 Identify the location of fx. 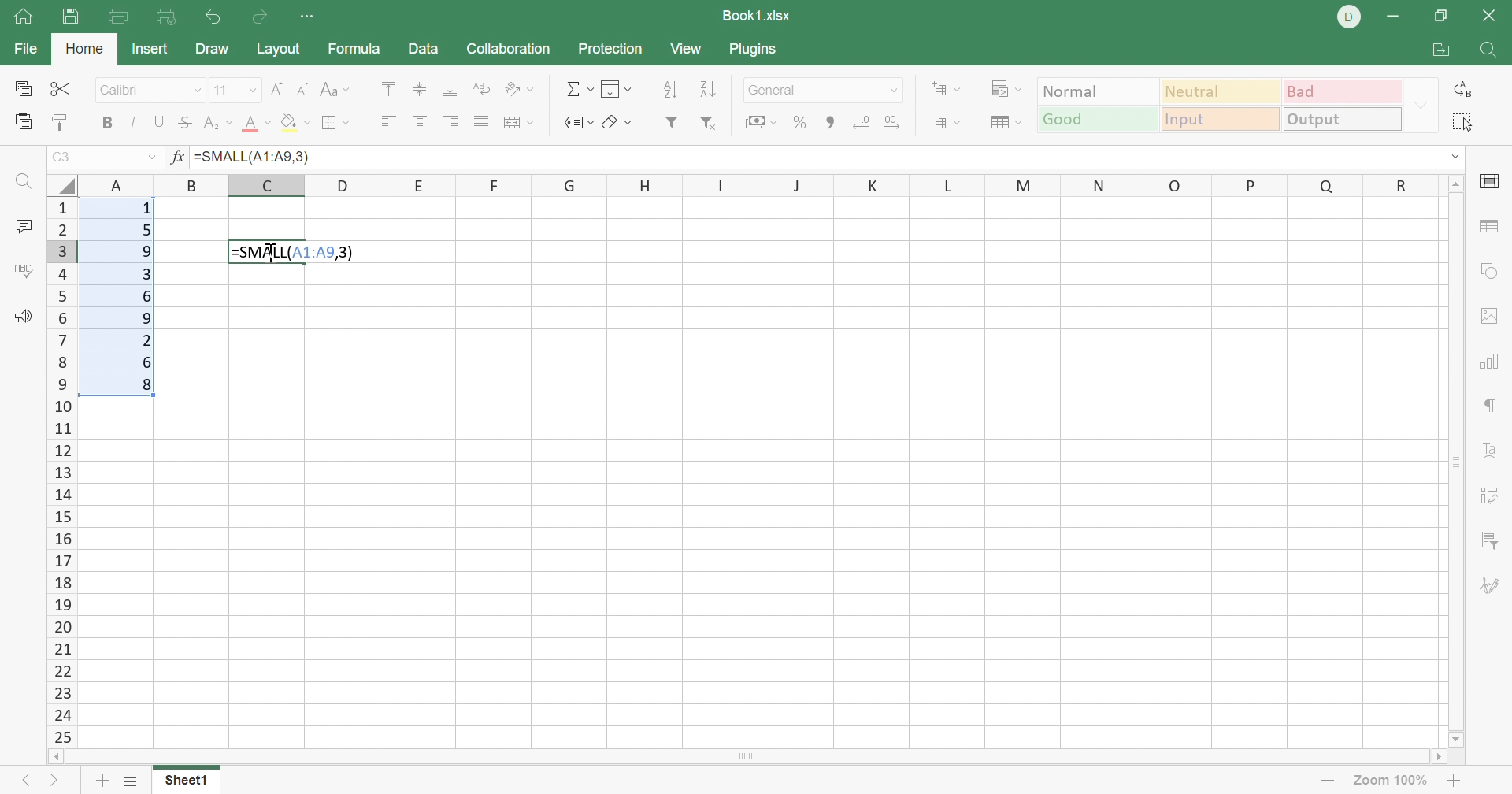
(179, 156).